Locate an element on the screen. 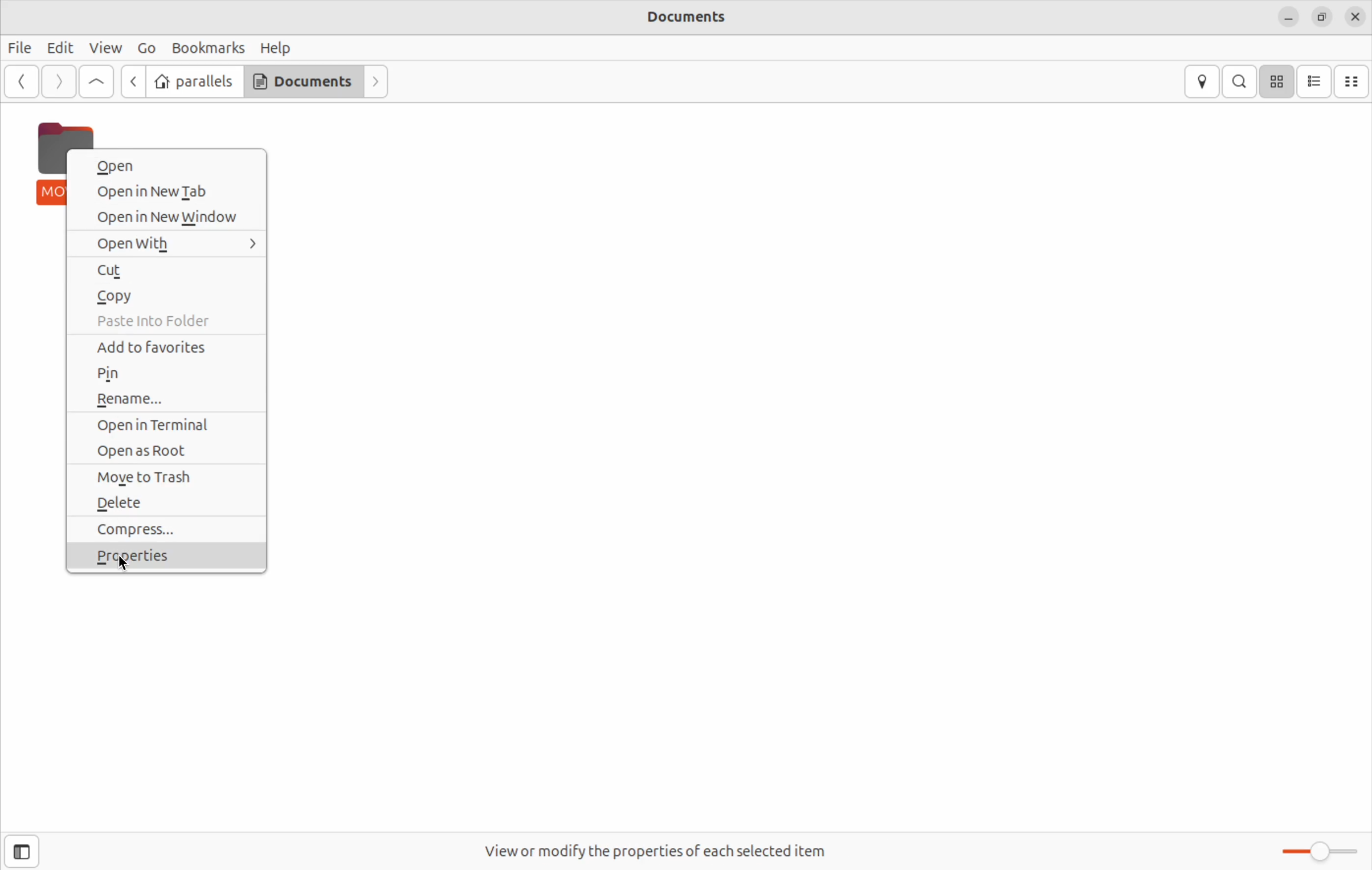 This screenshot has width=1372, height=870. Compress is located at coordinates (166, 529).